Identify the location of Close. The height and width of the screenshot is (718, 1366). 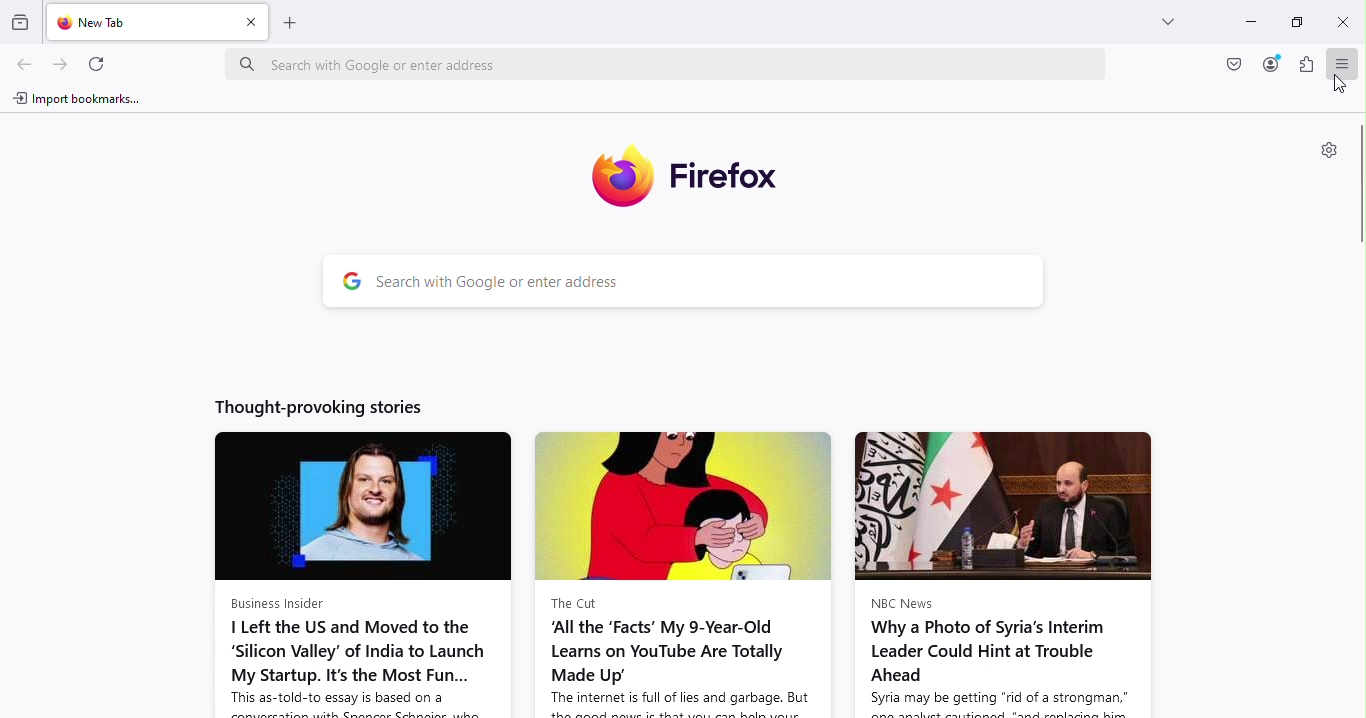
(1341, 20).